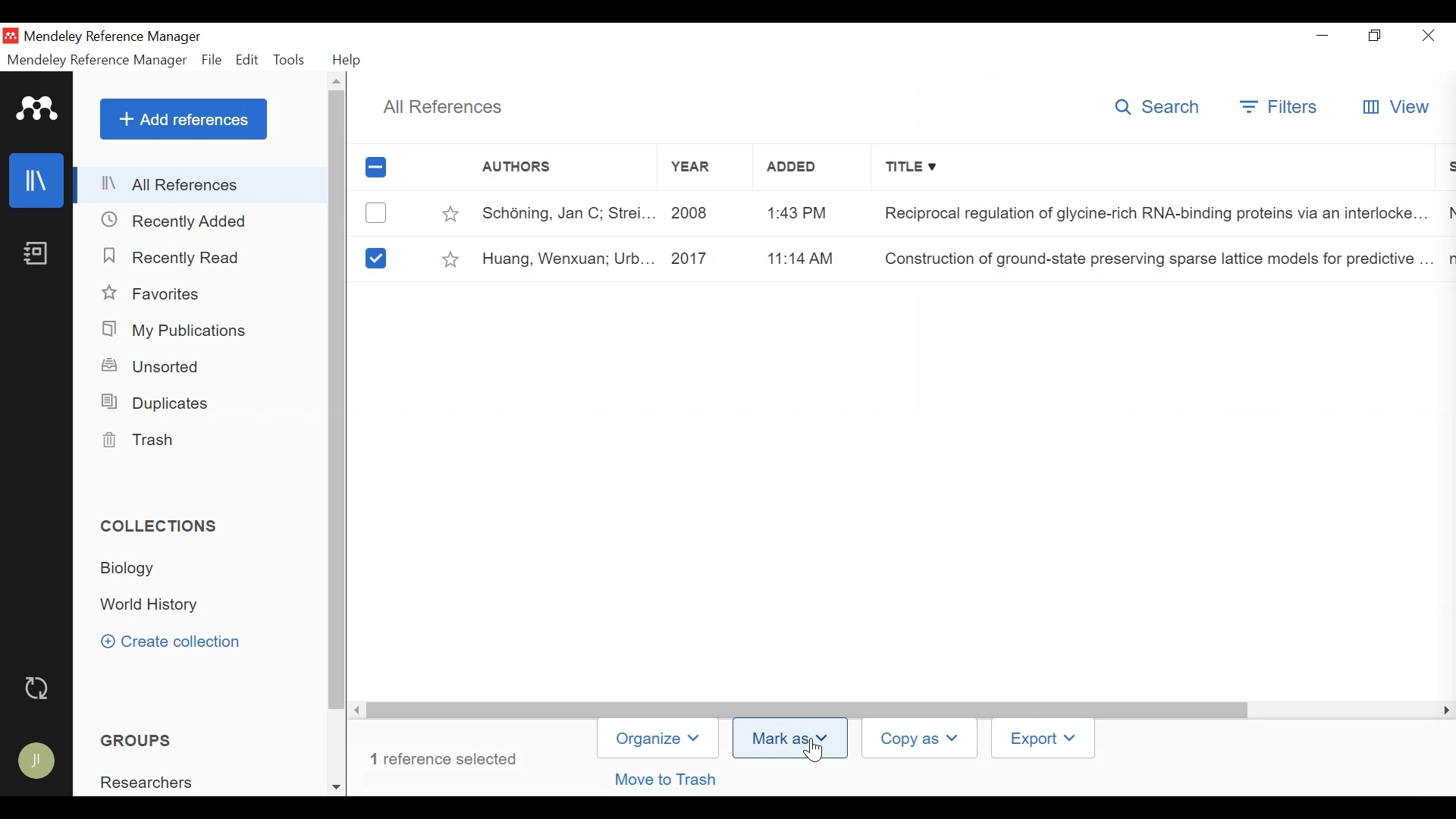 This screenshot has height=819, width=1456. I want to click on Schoning, Jan C; Strei..., so click(568, 215).